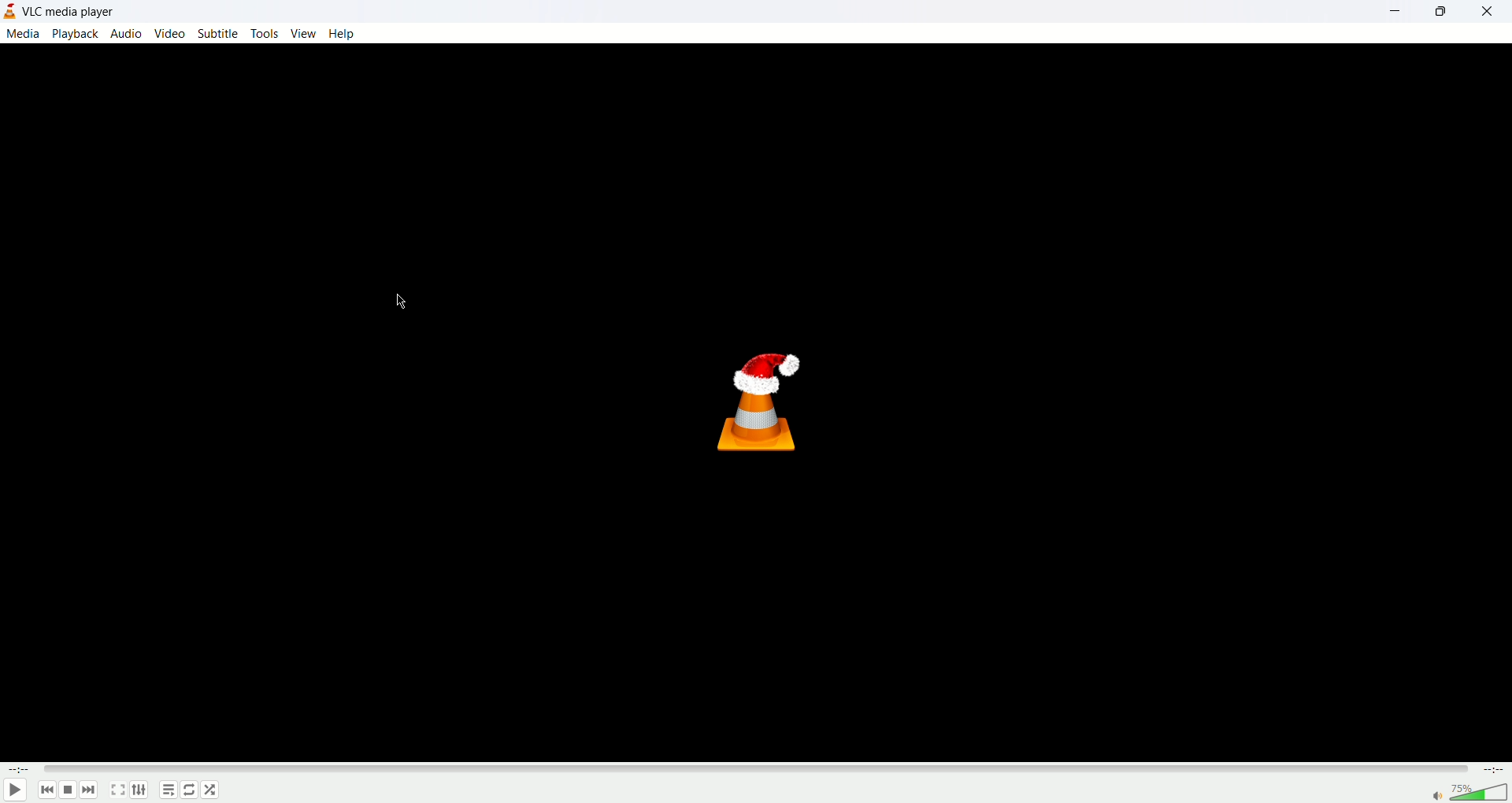 The width and height of the screenshot is (1512, 803). I want to click on close, so click(1492, 10).